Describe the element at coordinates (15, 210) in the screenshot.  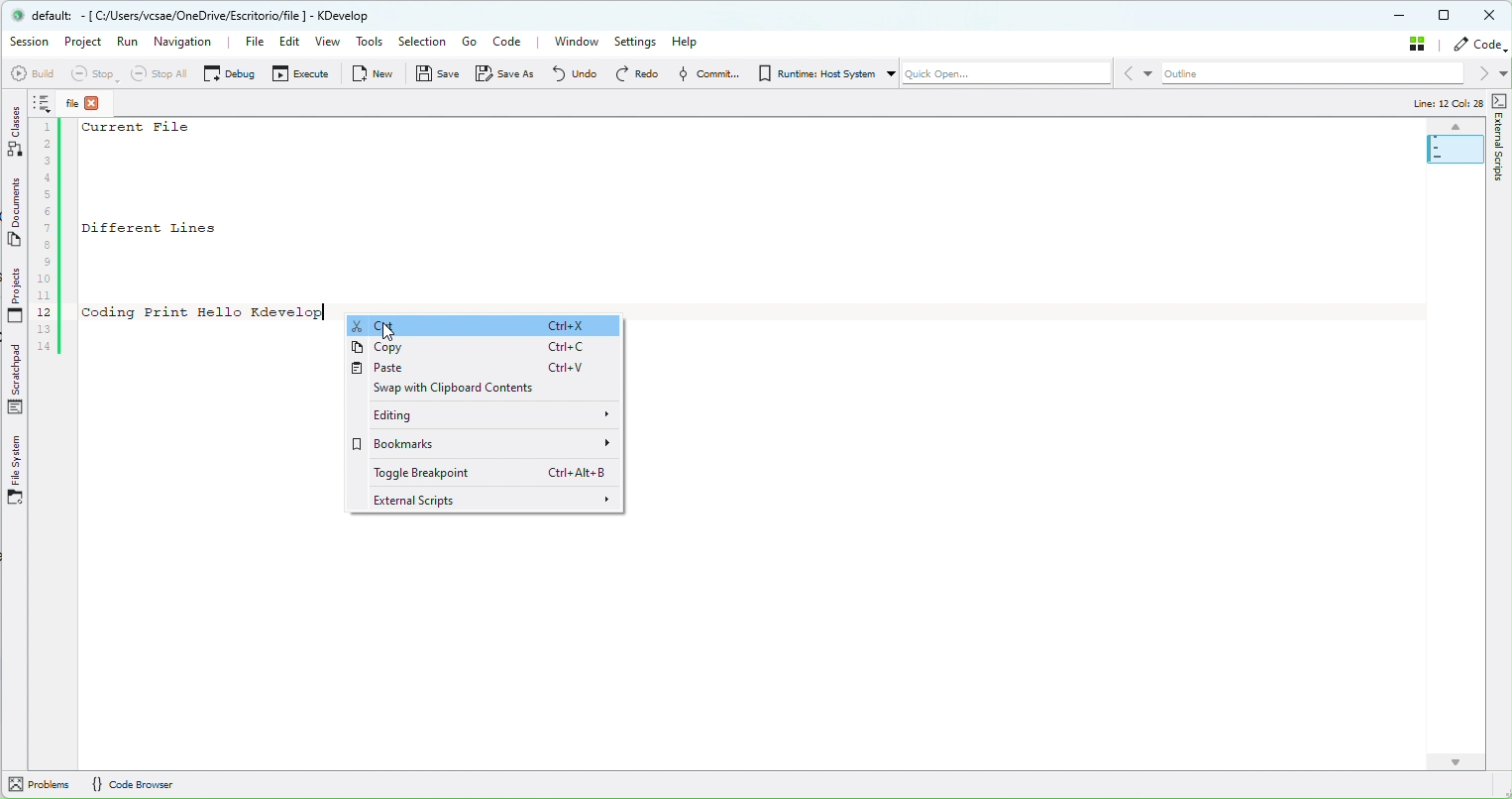
I see `Documents` at that location.